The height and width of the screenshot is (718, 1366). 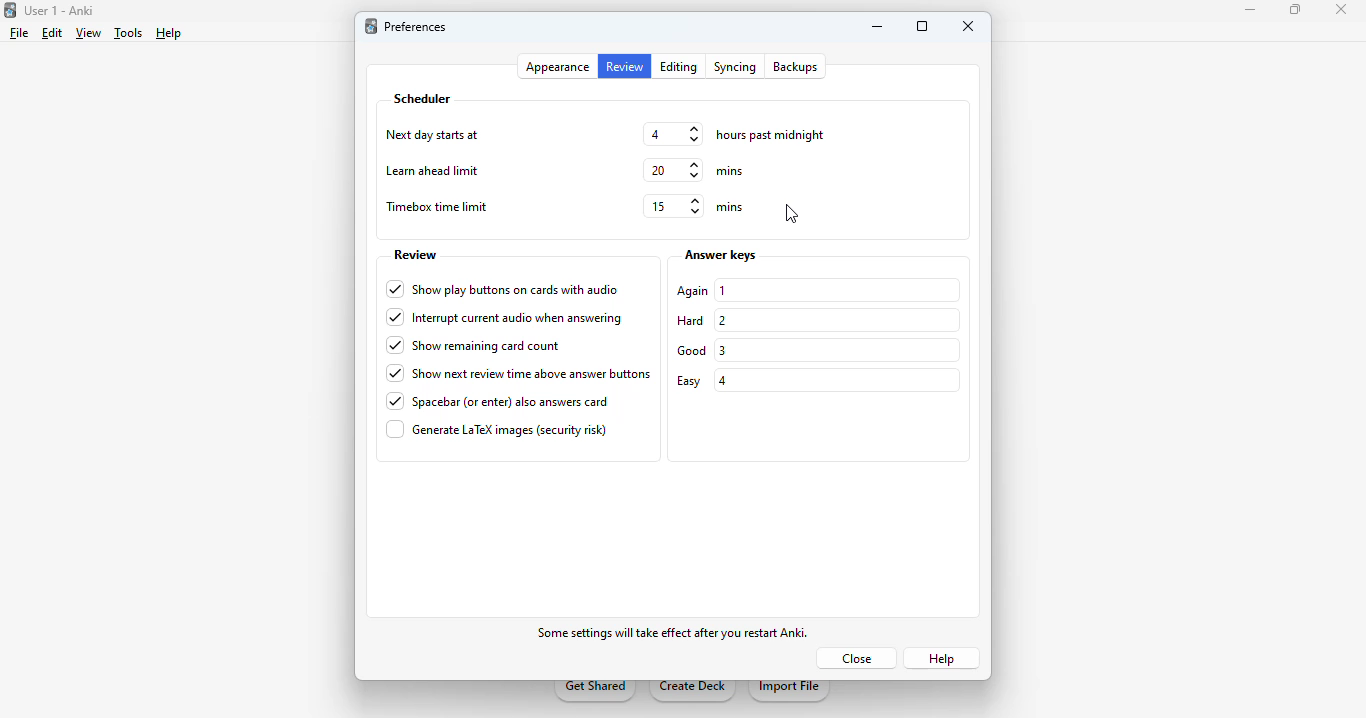 I want to click on review, so click(x=626, y=67).